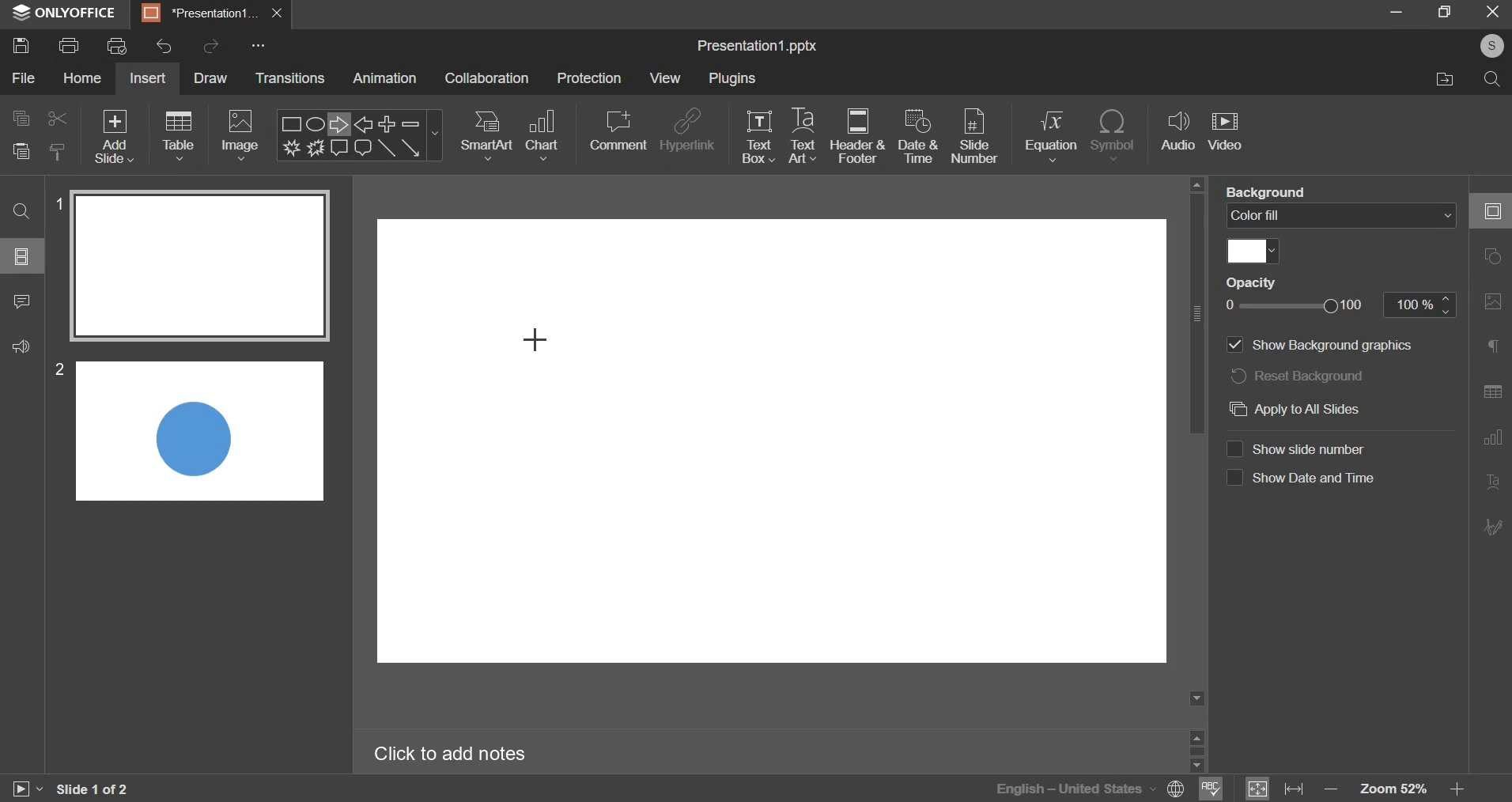 The height and width of the screenshot is (802, 1512). What do you see at coordinates (759, 46) in the screenshot?
I see `presentation name` at bounding box center [759, 46].